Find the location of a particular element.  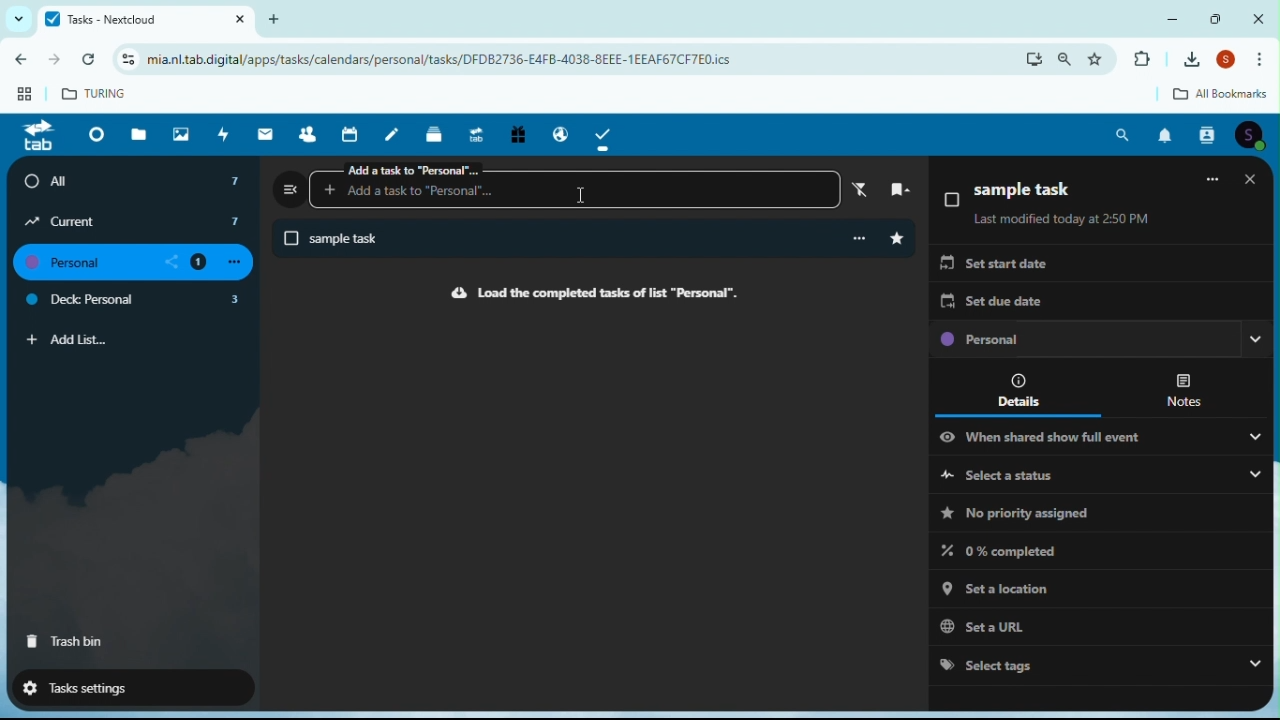

Moor options is located at coordinates (1265, 60).